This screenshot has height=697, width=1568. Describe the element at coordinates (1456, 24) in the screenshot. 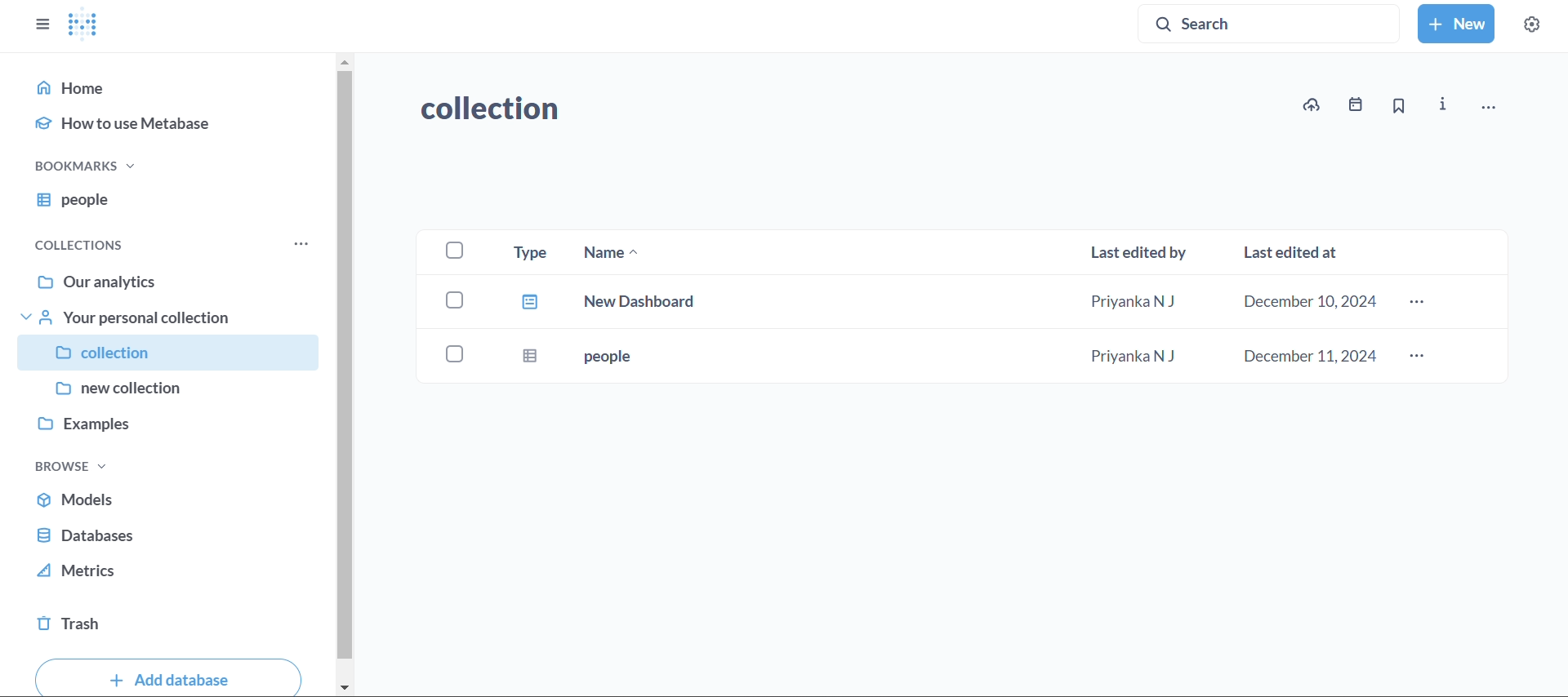

I see `new` at that location.